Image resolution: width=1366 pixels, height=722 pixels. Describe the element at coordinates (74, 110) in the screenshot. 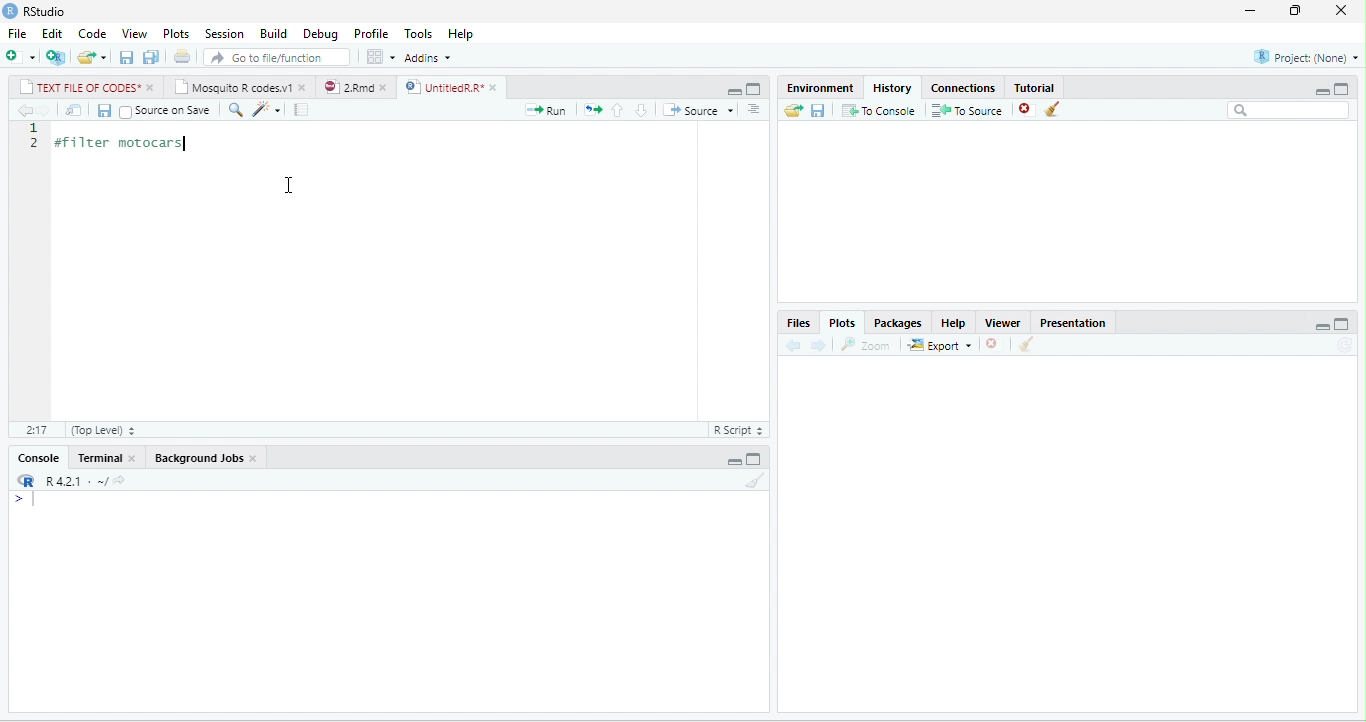

I see `show in new window` at that location.